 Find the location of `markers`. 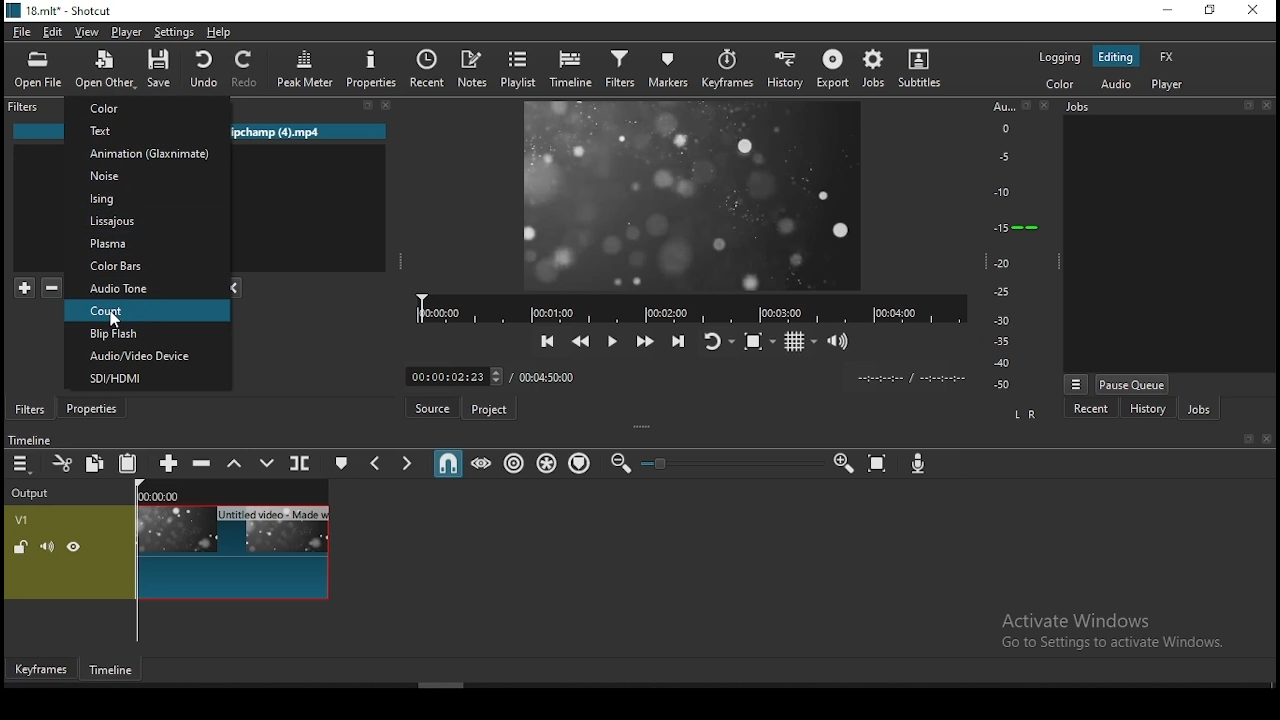

markers is located at coordinates (667, 68).